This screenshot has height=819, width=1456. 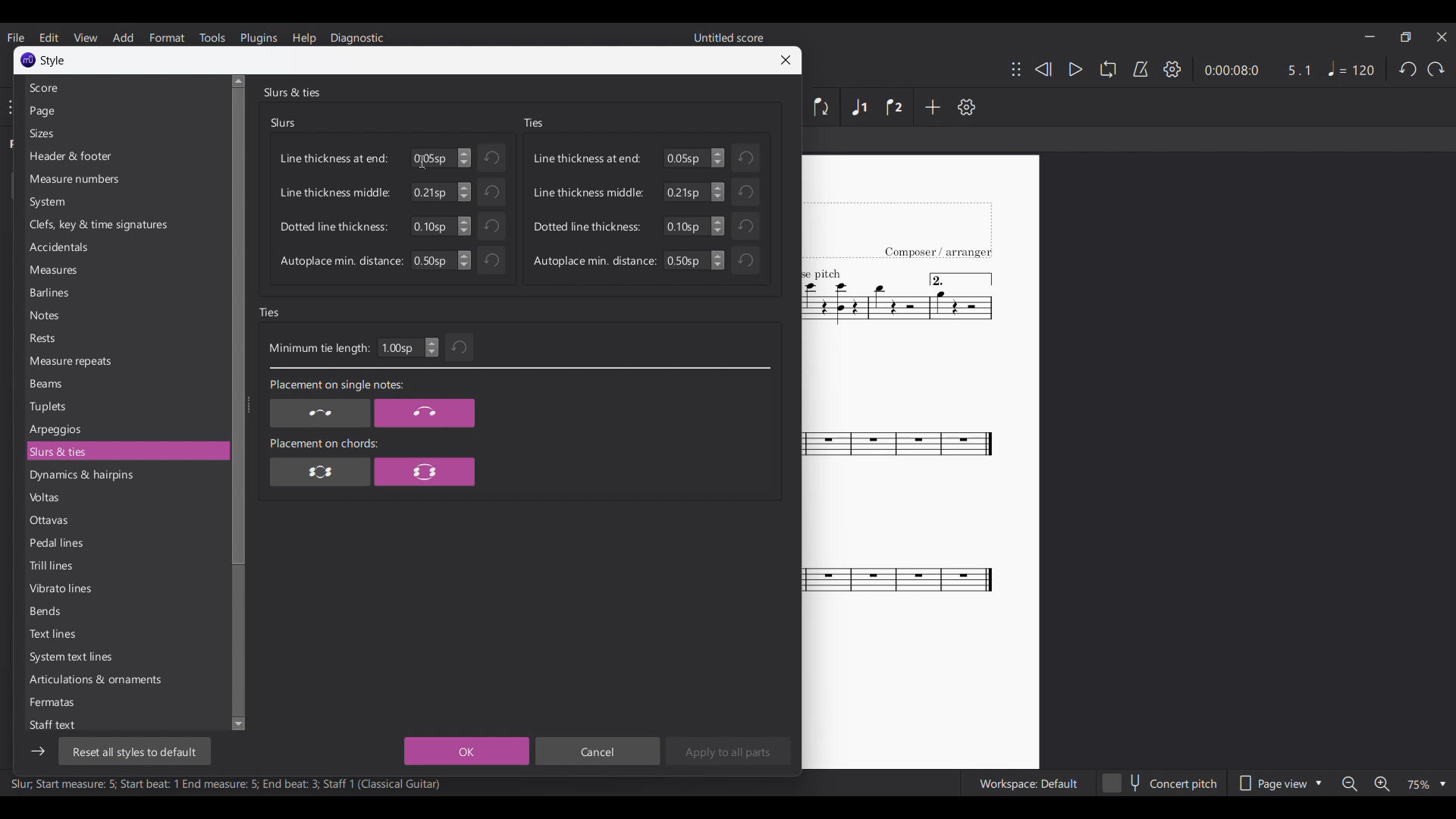 I want to click on Change line thickness middle, so click(x=717, y=192).